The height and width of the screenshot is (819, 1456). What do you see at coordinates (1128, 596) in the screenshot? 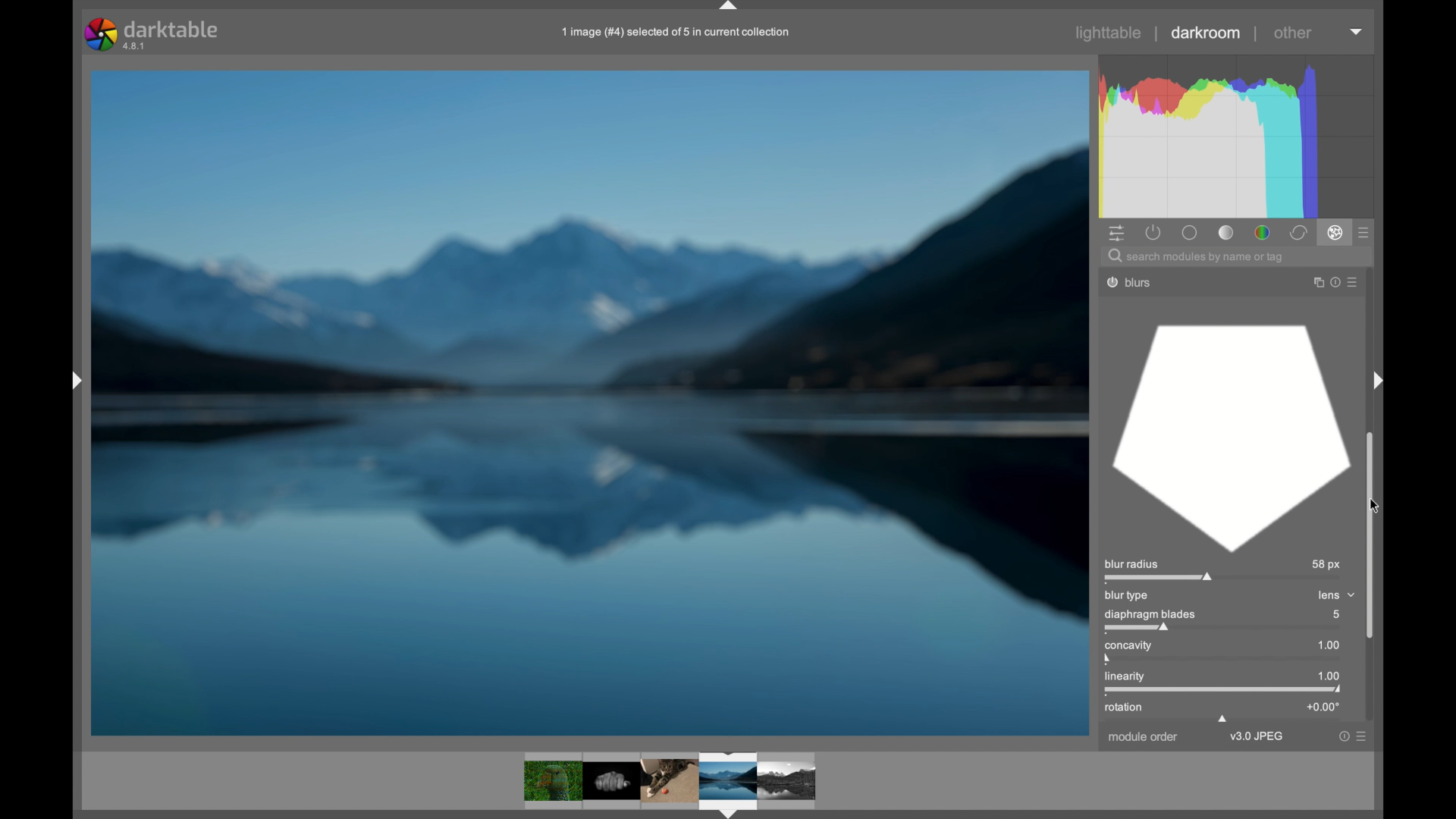
I see `blur  type` at bounding box center [1128, 596].